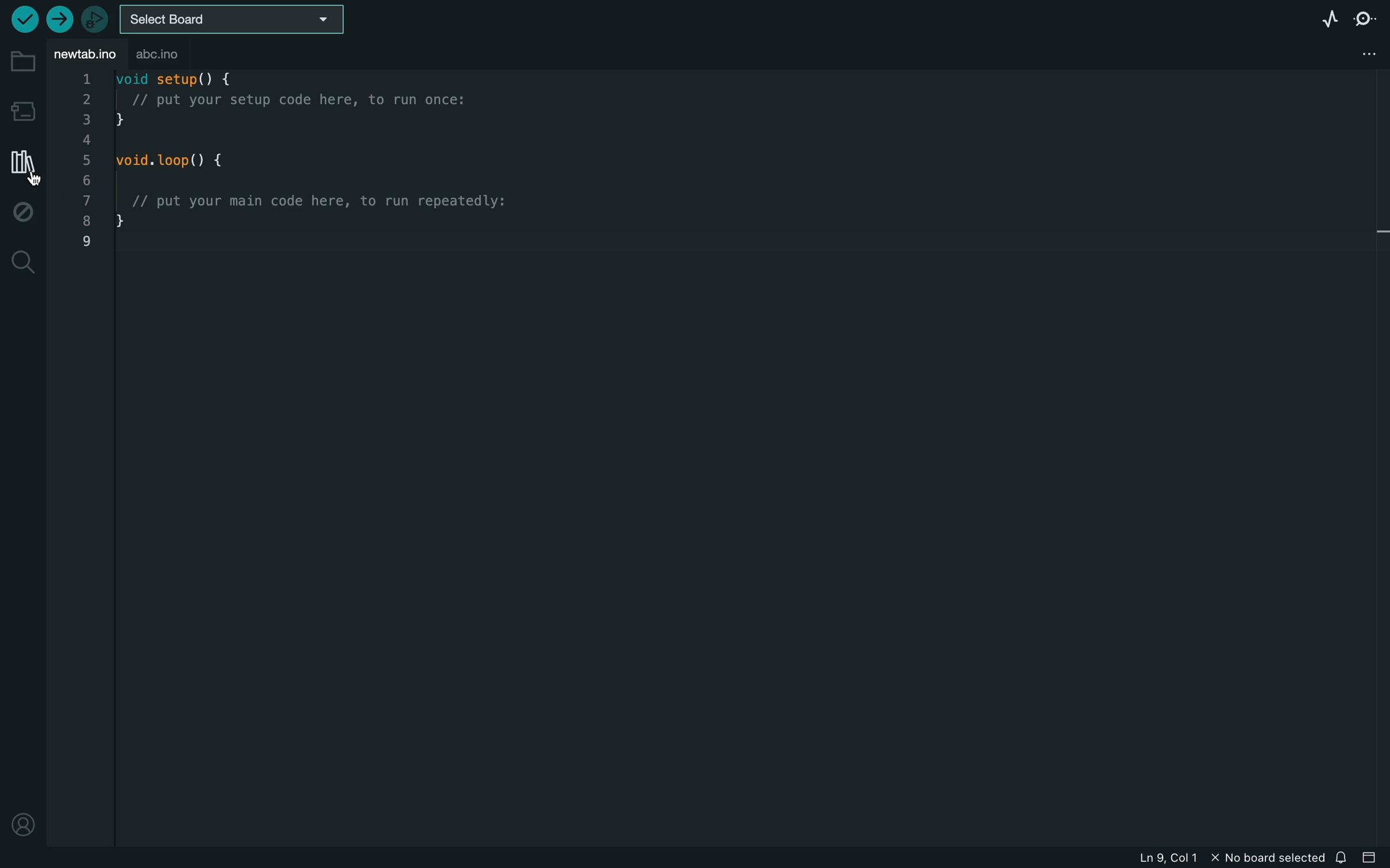  Describe the element at coordinates (22, 165) in the screenshot. I see `library manager` at that location.